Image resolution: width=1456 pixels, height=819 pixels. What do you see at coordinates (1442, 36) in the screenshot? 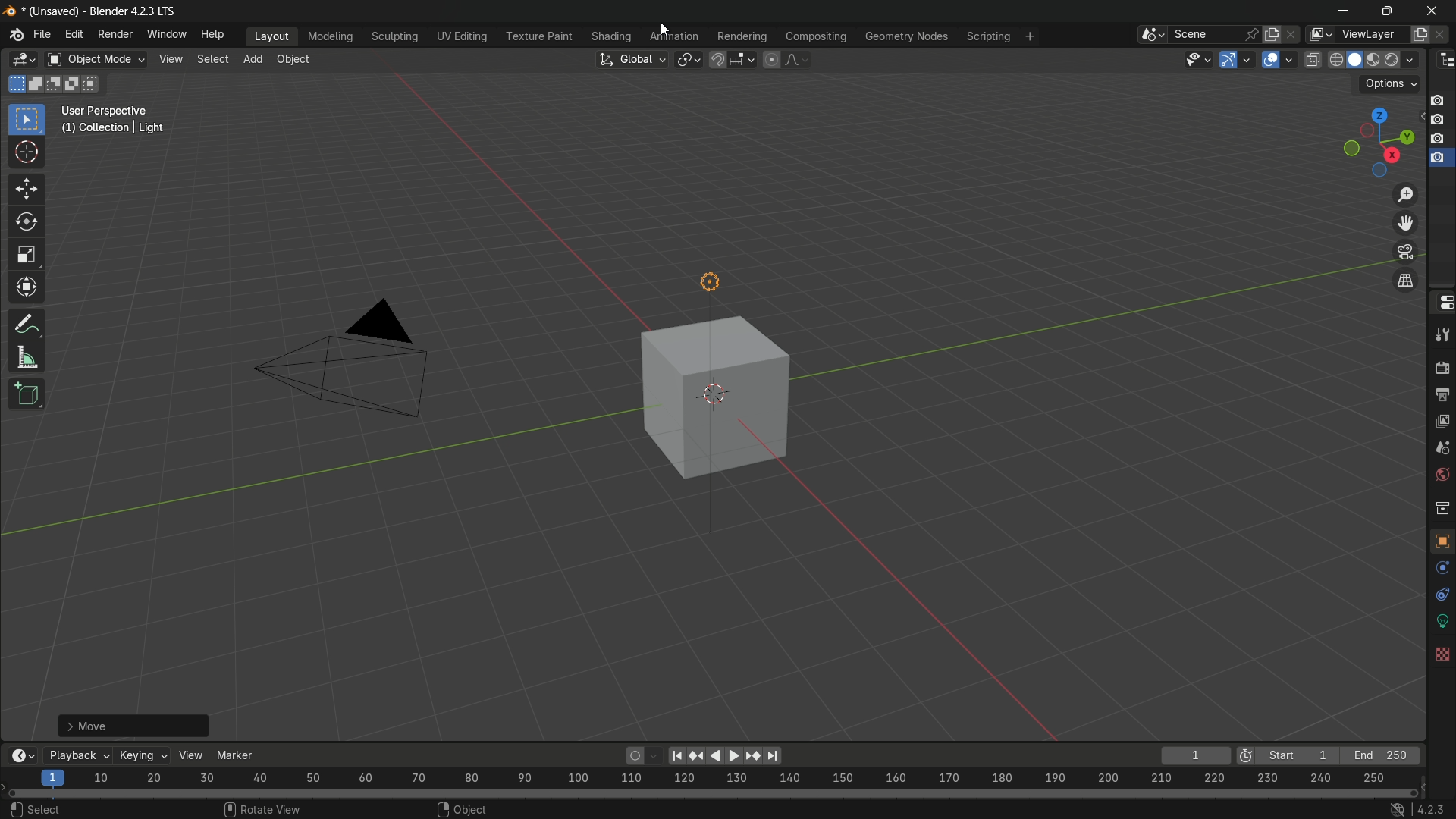
I see `remove view layer` at bounding box center [1442, 36].